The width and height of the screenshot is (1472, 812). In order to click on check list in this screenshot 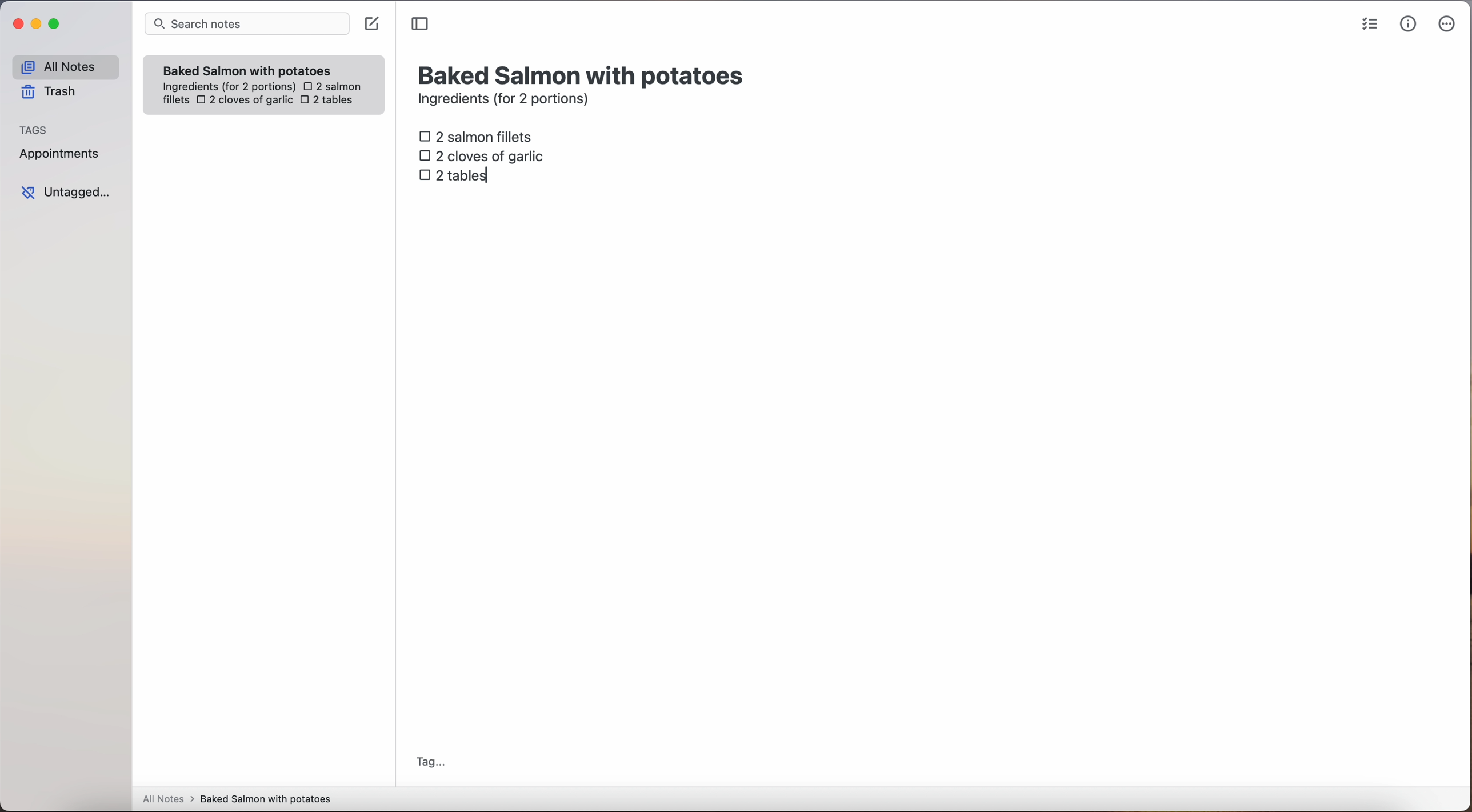, I will do `click(1370, 25)`.